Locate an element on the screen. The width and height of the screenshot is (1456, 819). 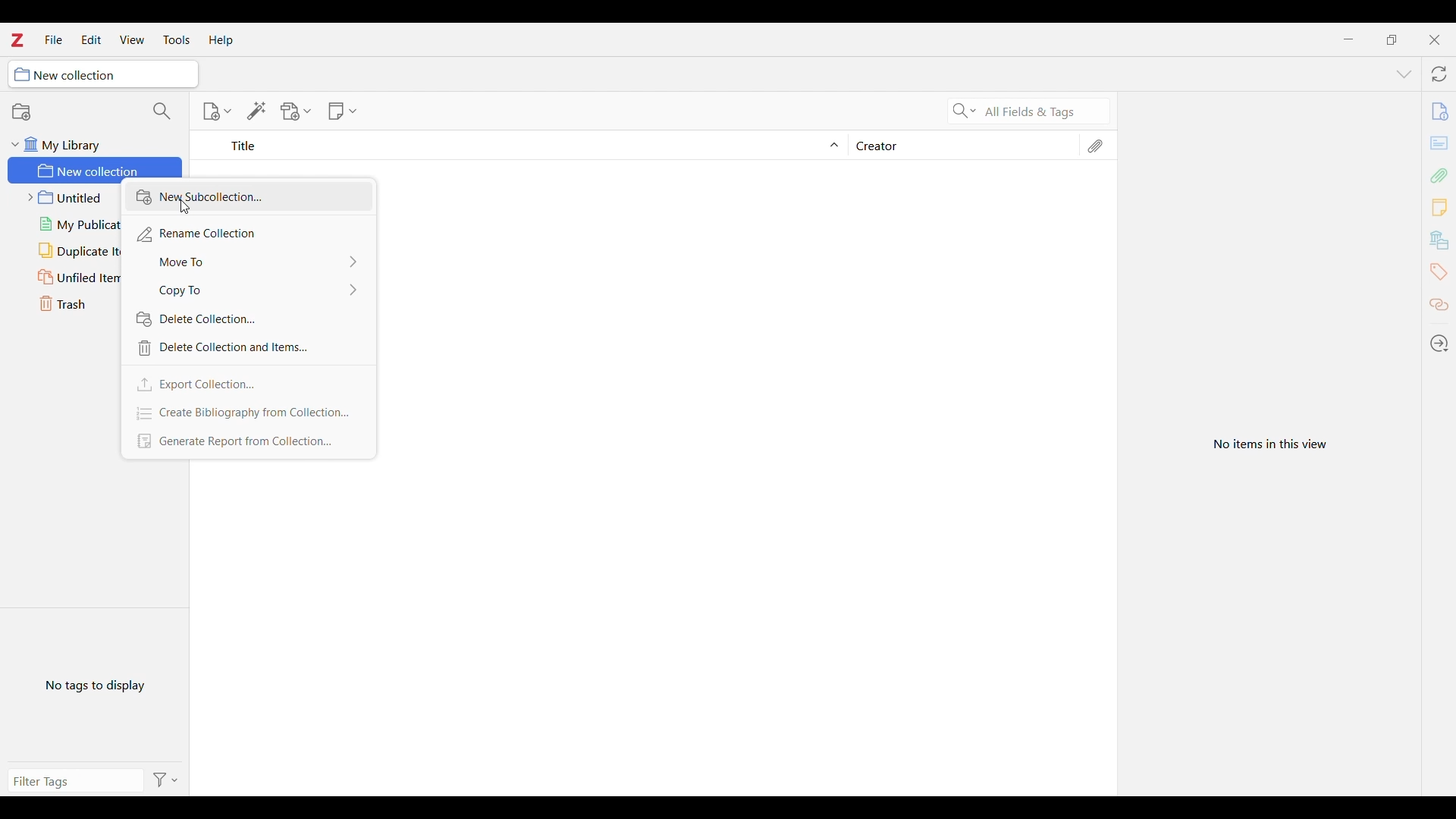
New collection is located at coordinates (249, 196).